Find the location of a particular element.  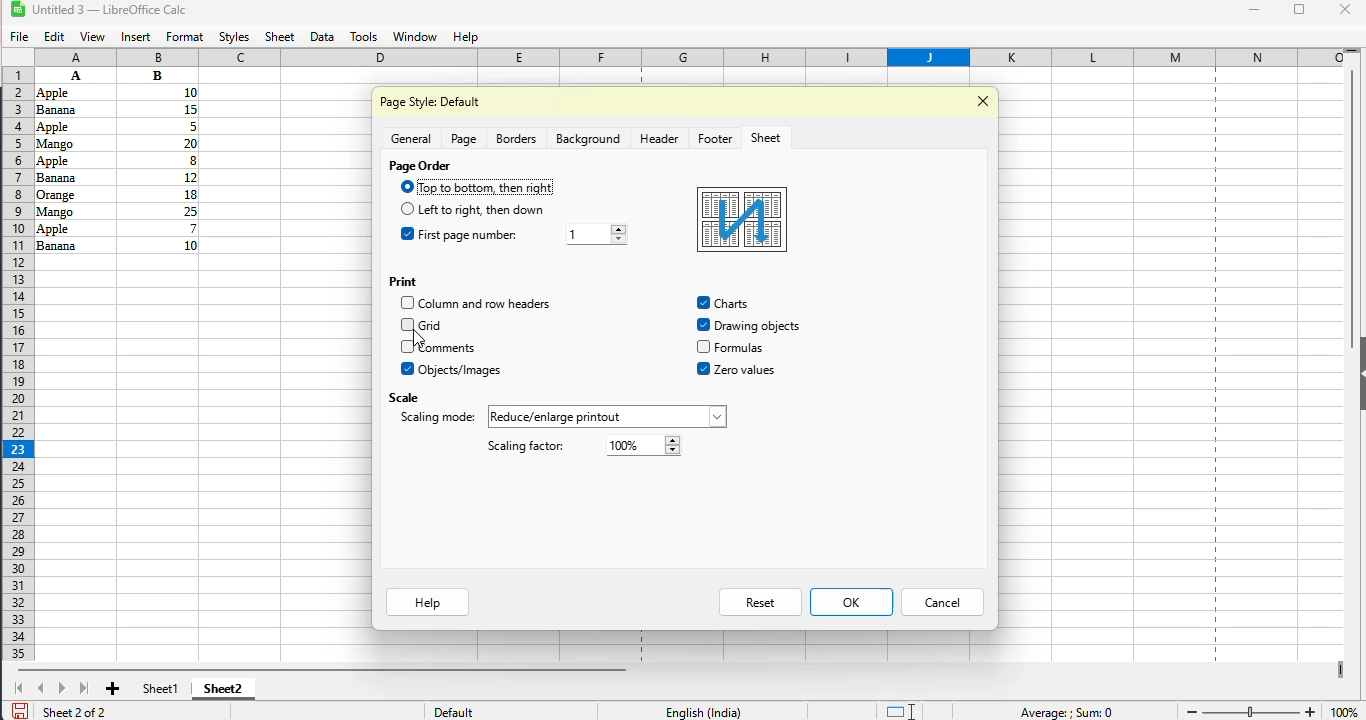

data is located at coordinates (322, 38).